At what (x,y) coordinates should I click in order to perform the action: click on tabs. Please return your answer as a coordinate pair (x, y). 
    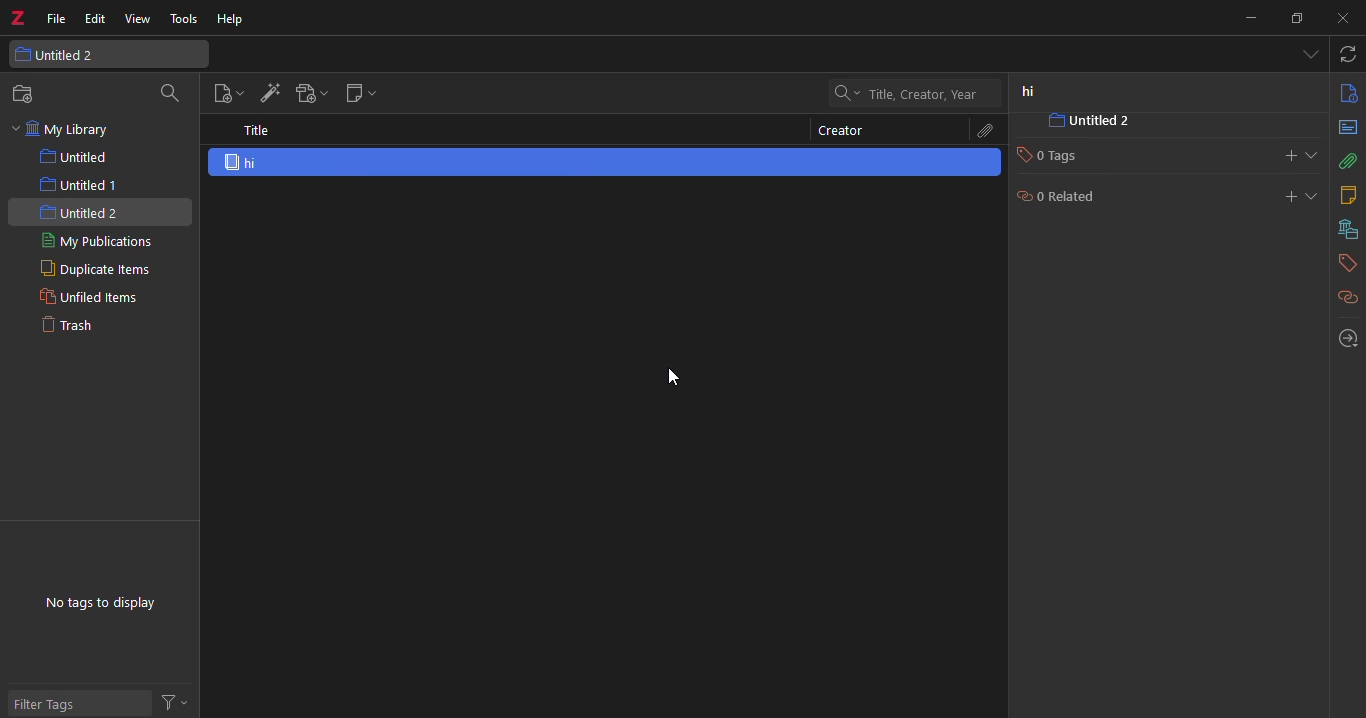
    Looking at the image, I should click on (1308, 54).